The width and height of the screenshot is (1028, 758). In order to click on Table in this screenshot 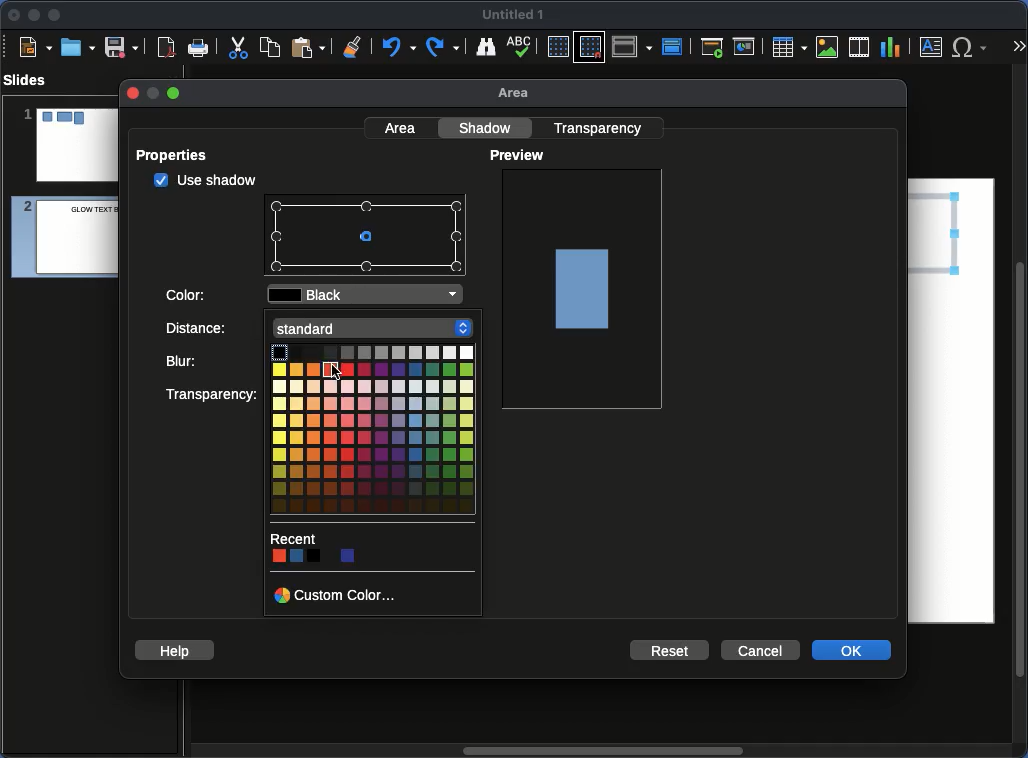, I will do `click(788, 46)`.